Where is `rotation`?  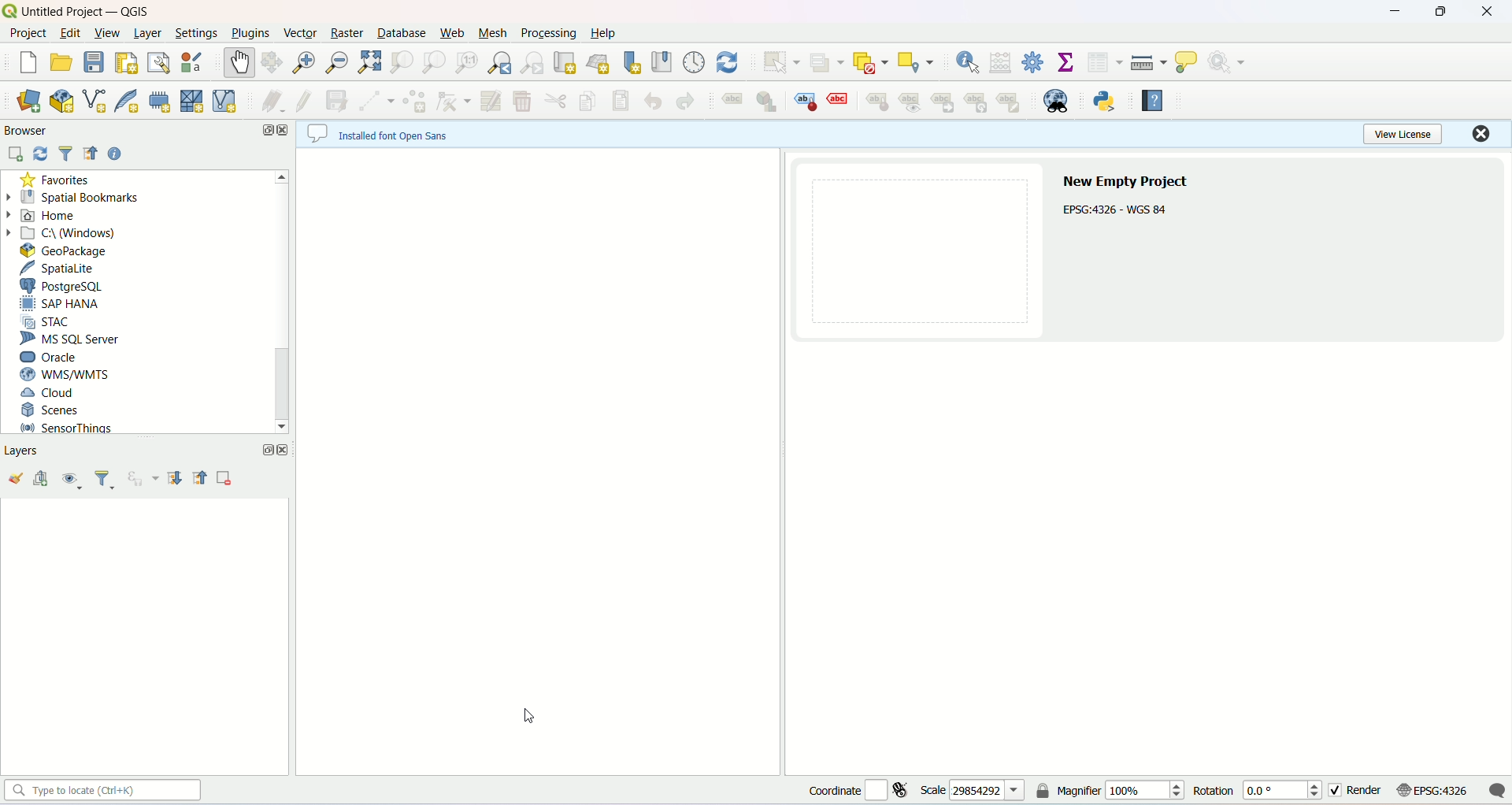
rotation is located at coordinates (1213, 790).